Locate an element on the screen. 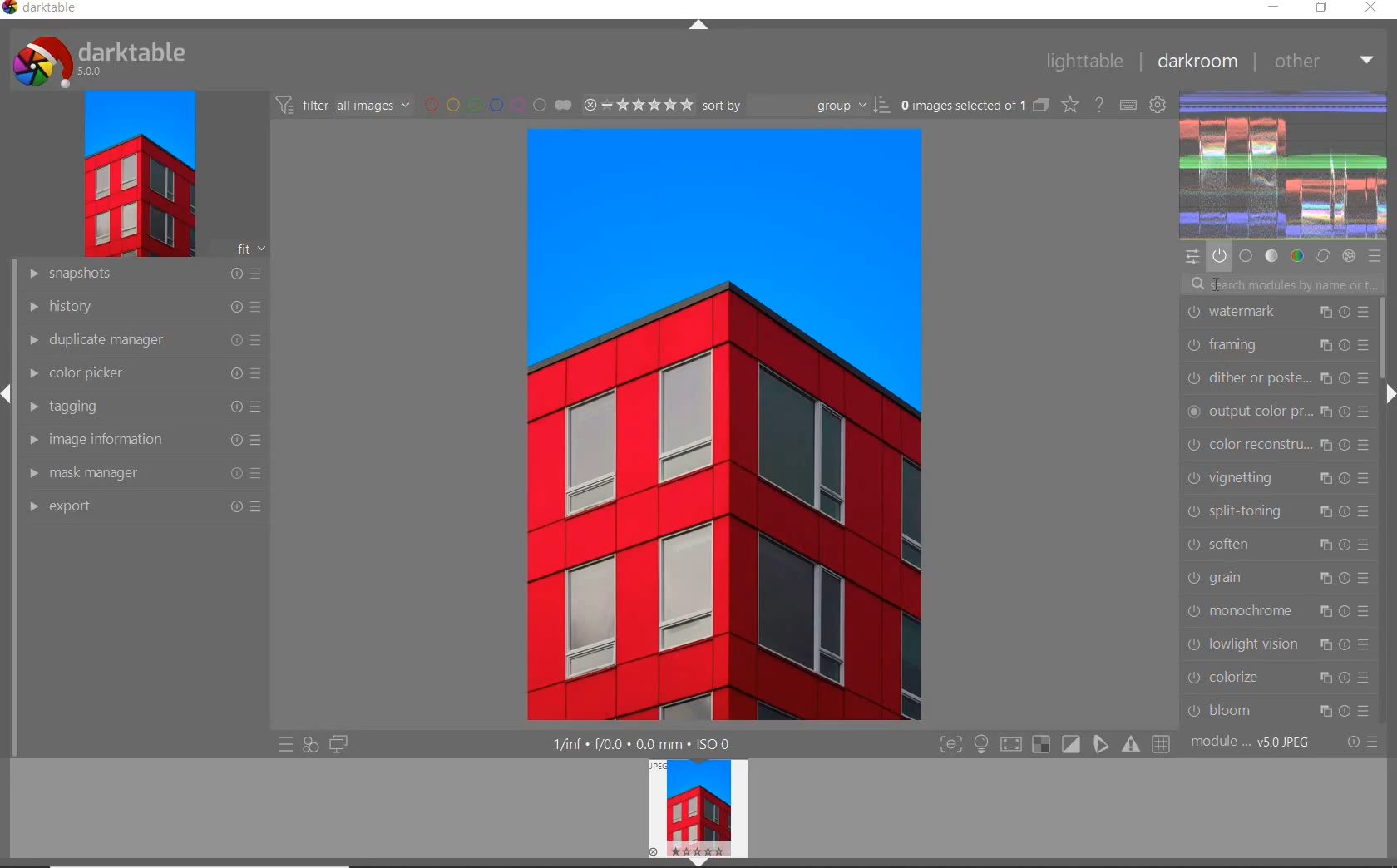 The image size is (1397, 868). display information is located at coordinates (643, 744).